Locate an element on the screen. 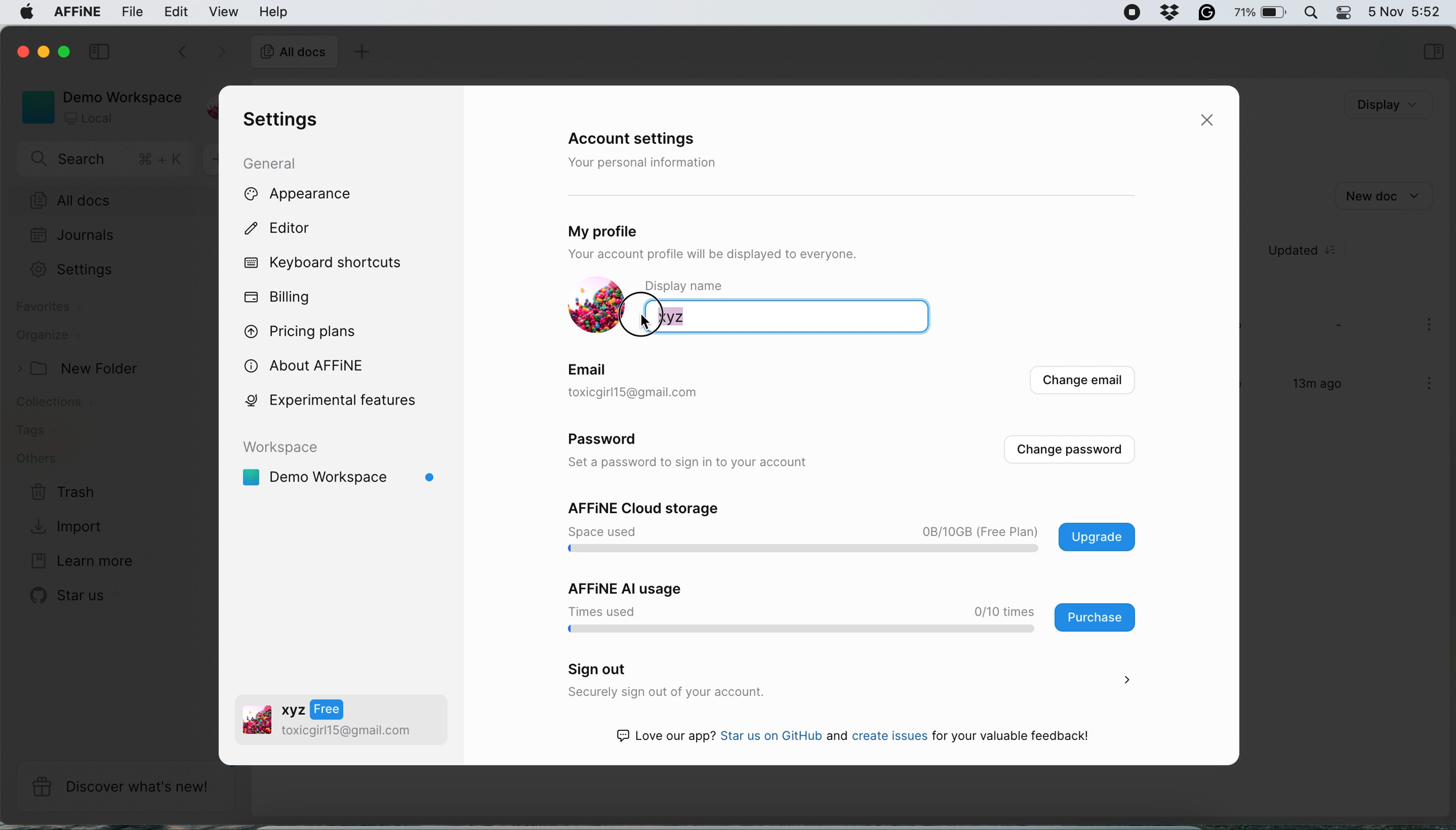 The width and height of the screenshot is (1456, 830). Your account profile will be displayed to everyone. is located at coordinates (758, 255).